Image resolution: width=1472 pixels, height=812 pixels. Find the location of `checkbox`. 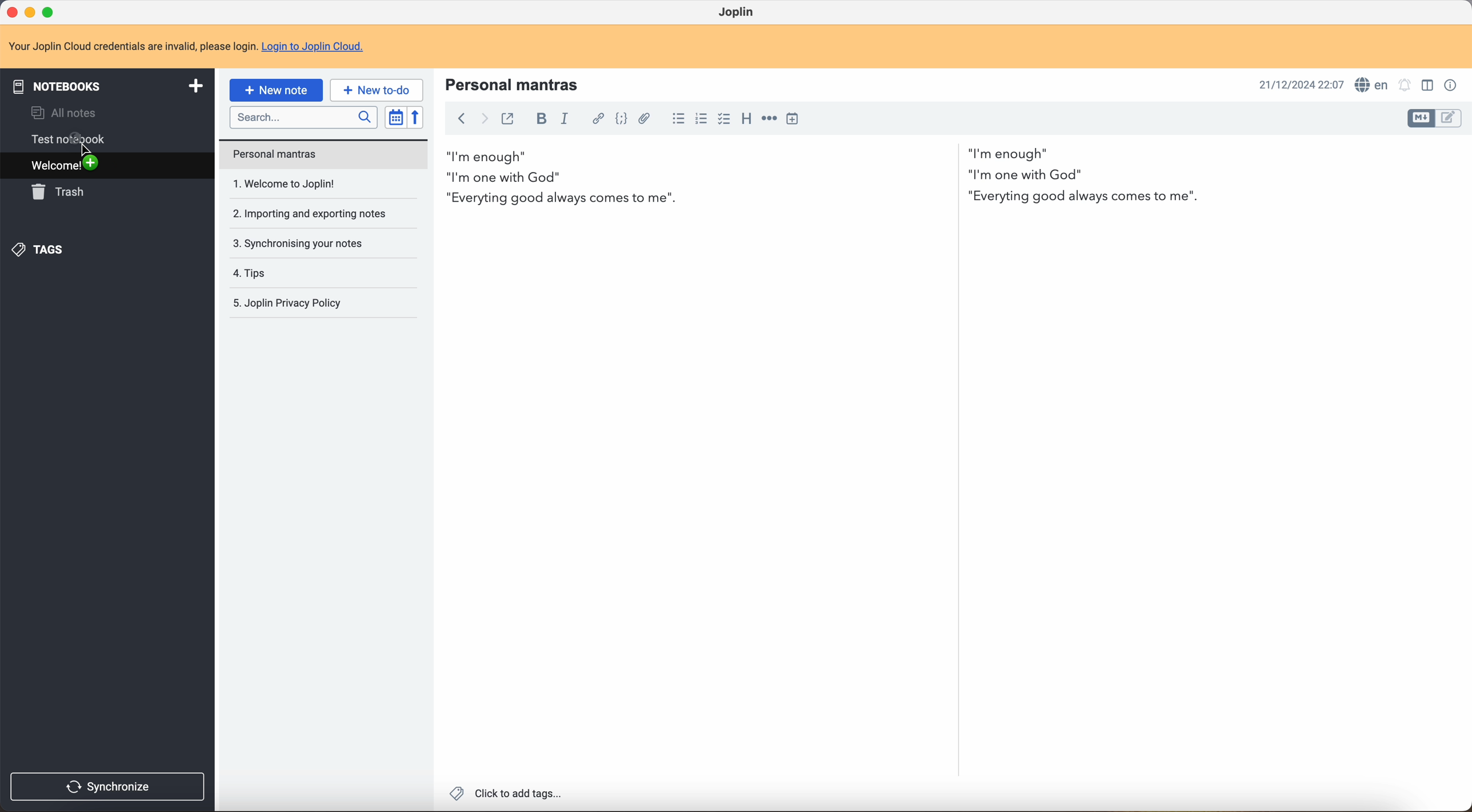

checkbox is located at coordinates (725, 119).